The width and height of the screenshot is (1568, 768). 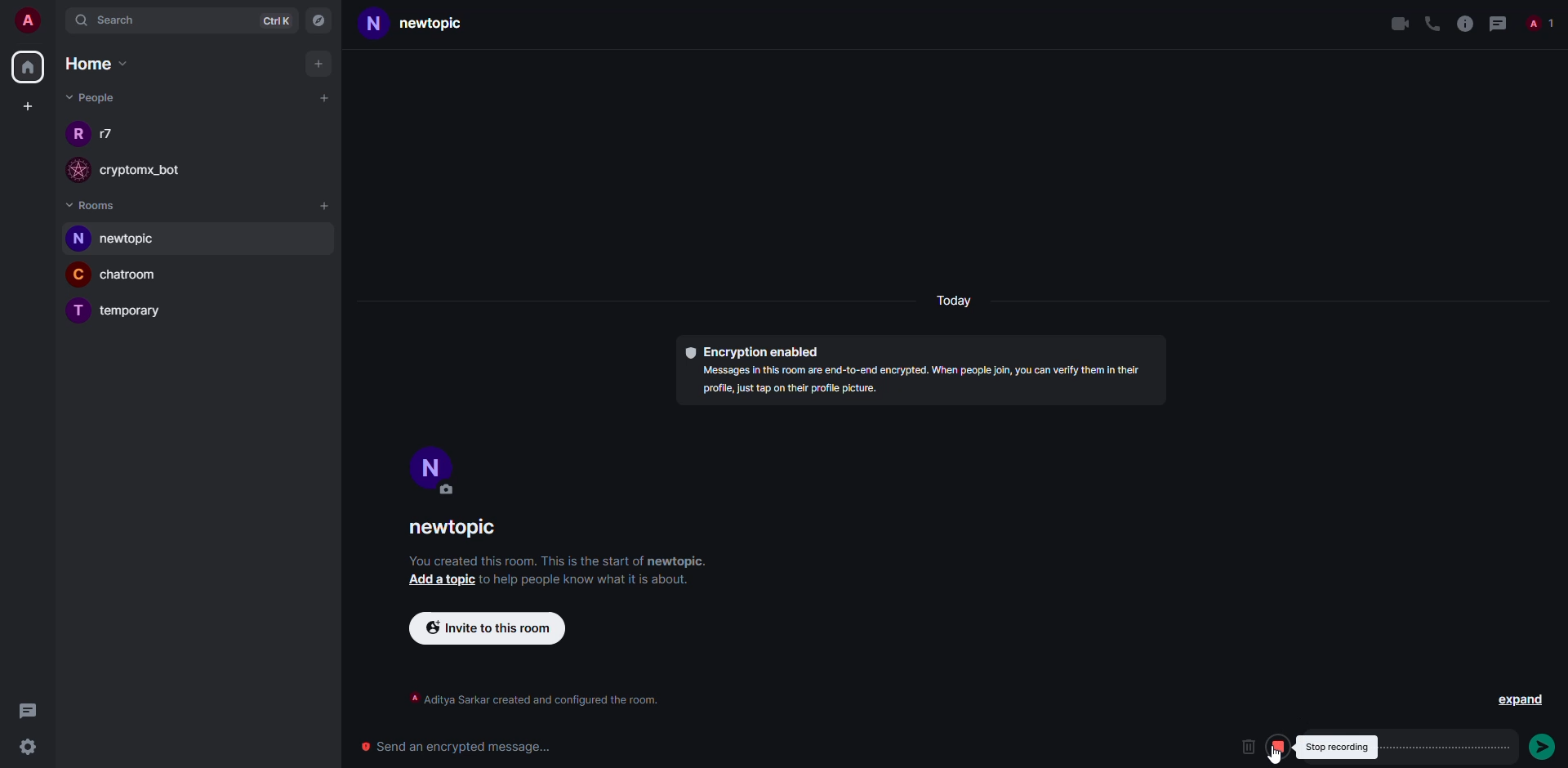 What do you see at coordinates (1247, 746) in the screenshot?
I see `delete` at bounding box center [1247, 746].